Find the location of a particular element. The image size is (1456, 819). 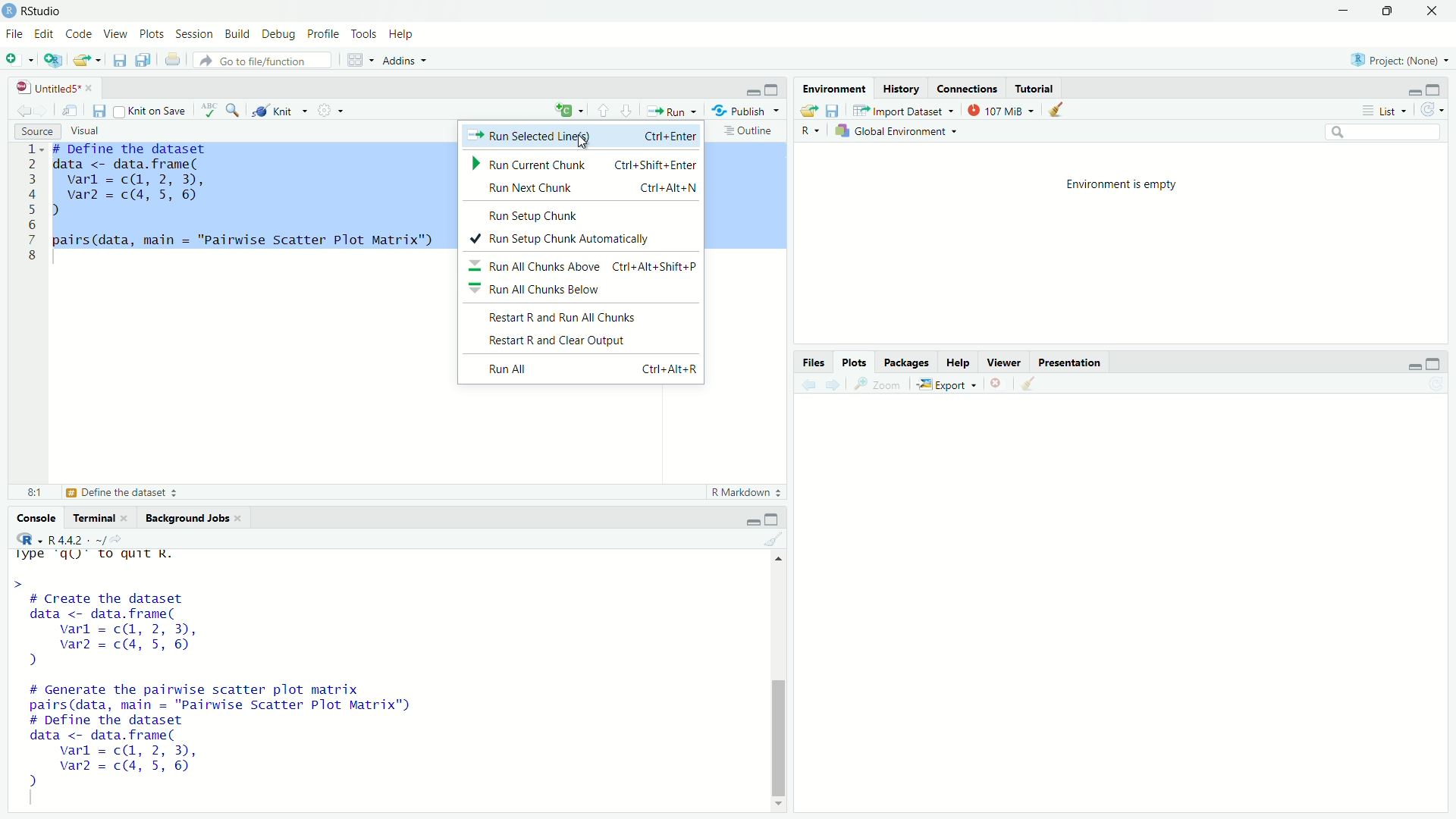

Files is located at coordinates (814, 361).